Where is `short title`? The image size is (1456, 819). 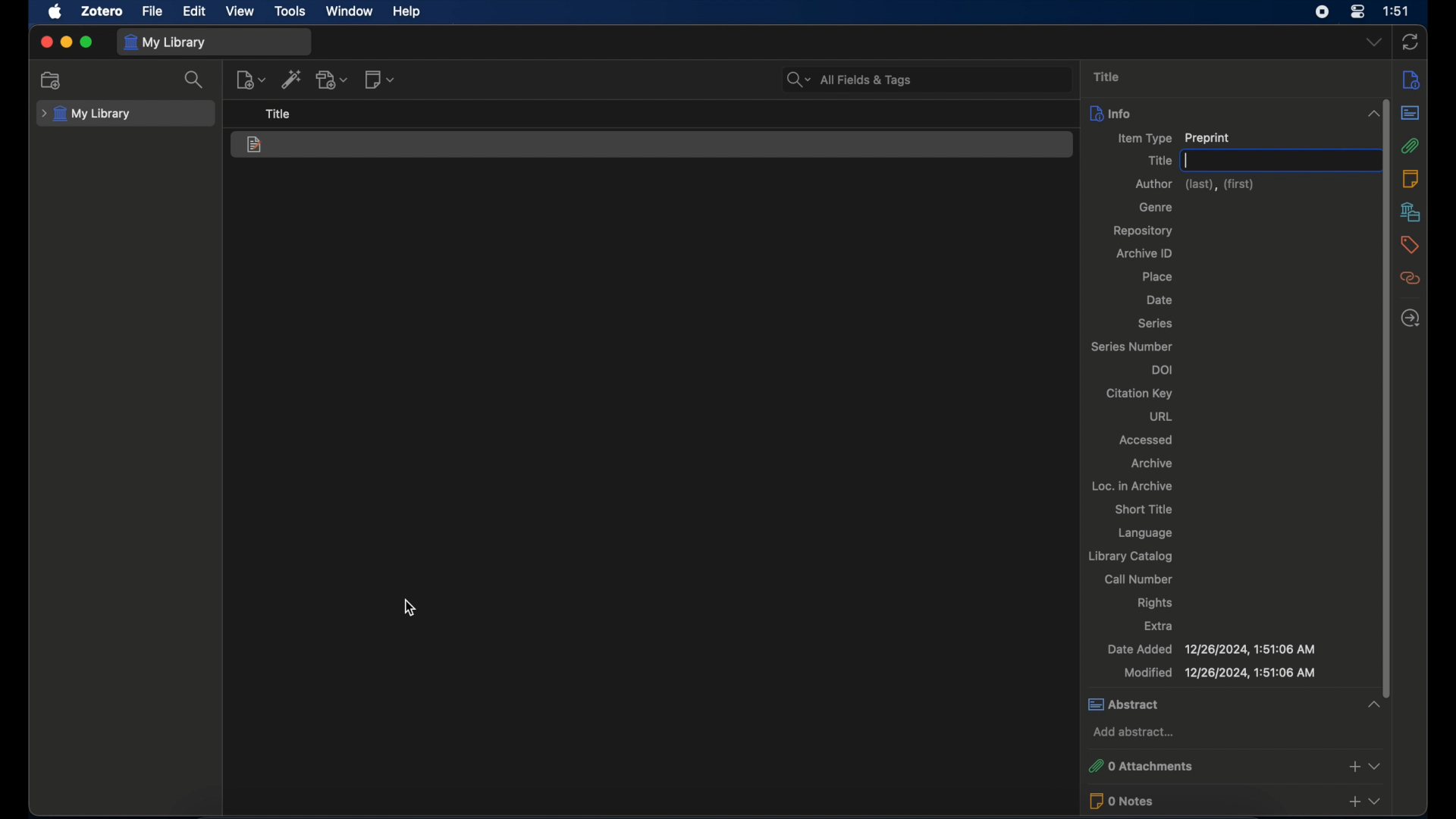
short title is located at coordinates (1146, 509).